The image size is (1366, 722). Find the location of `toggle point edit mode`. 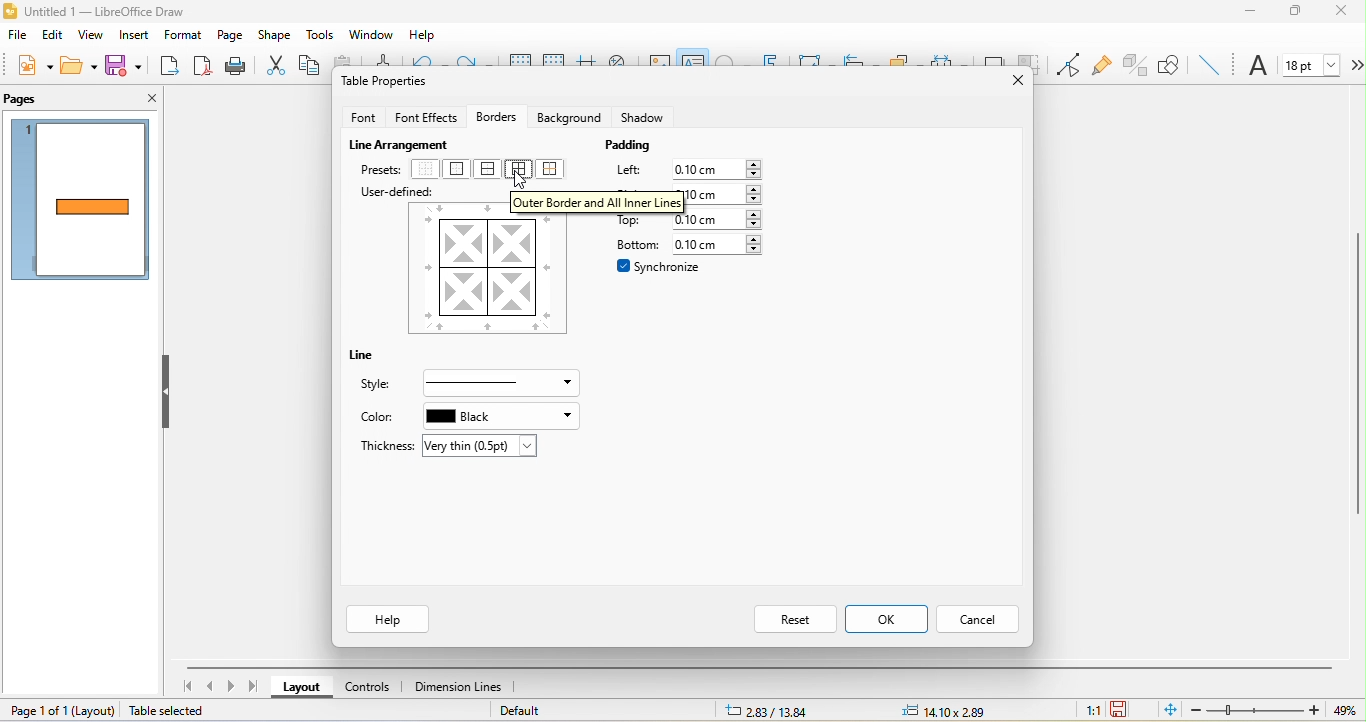

toggle point edit mode is located at coordinates (1070, 65).